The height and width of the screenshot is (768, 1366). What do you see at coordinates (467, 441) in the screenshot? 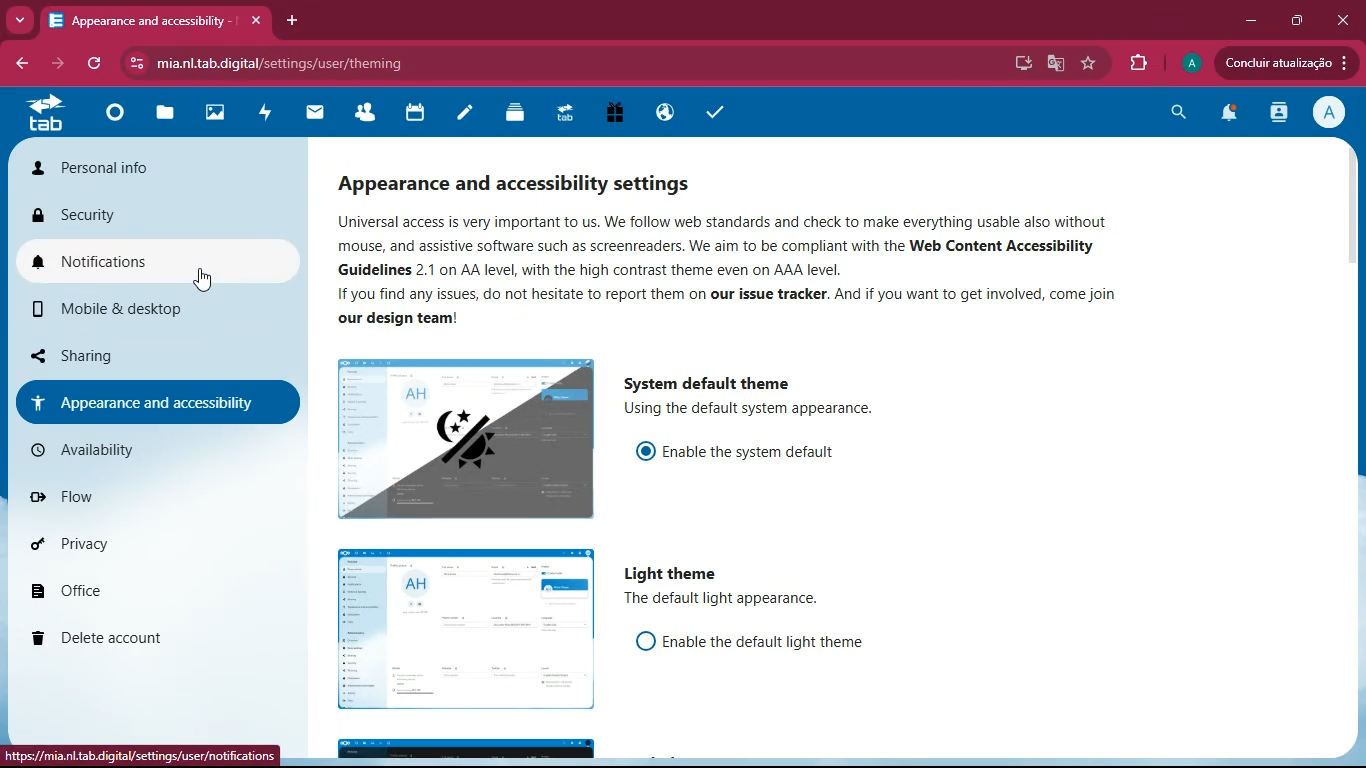
I see `image` at bounding box center [467, 441].